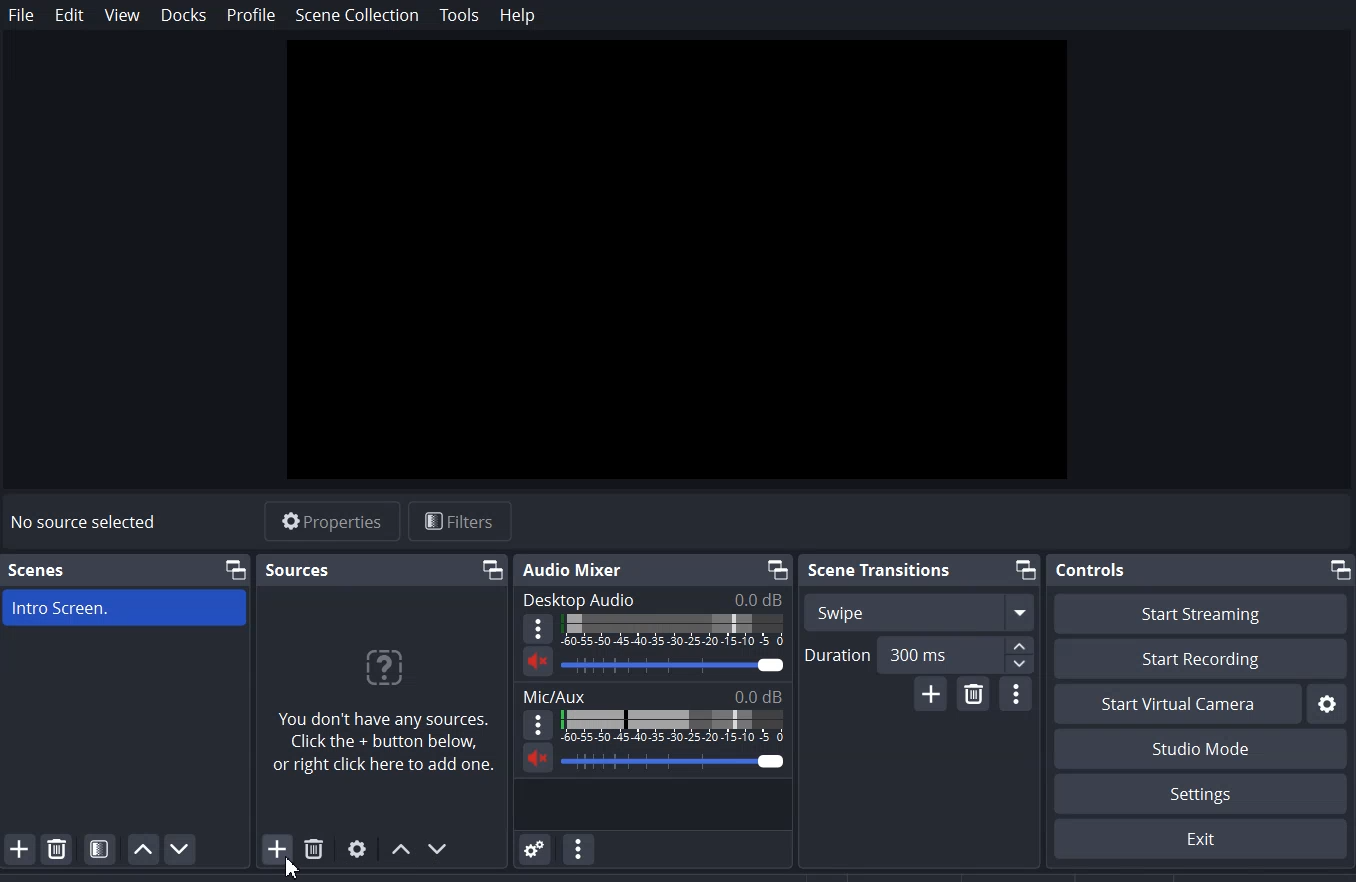  I want to click on Add Source, so click(268, 851).